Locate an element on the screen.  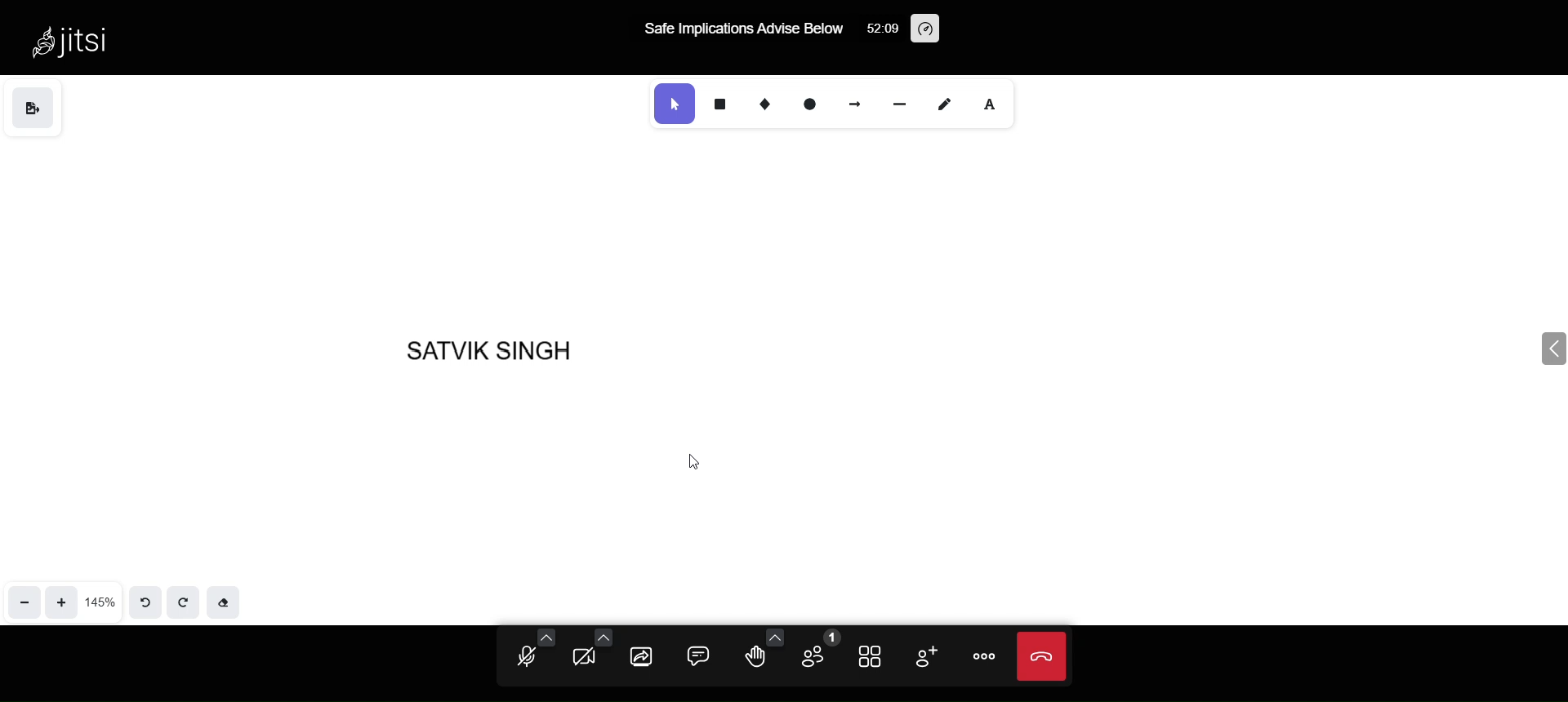
participants is located at coordinates (818, 649).